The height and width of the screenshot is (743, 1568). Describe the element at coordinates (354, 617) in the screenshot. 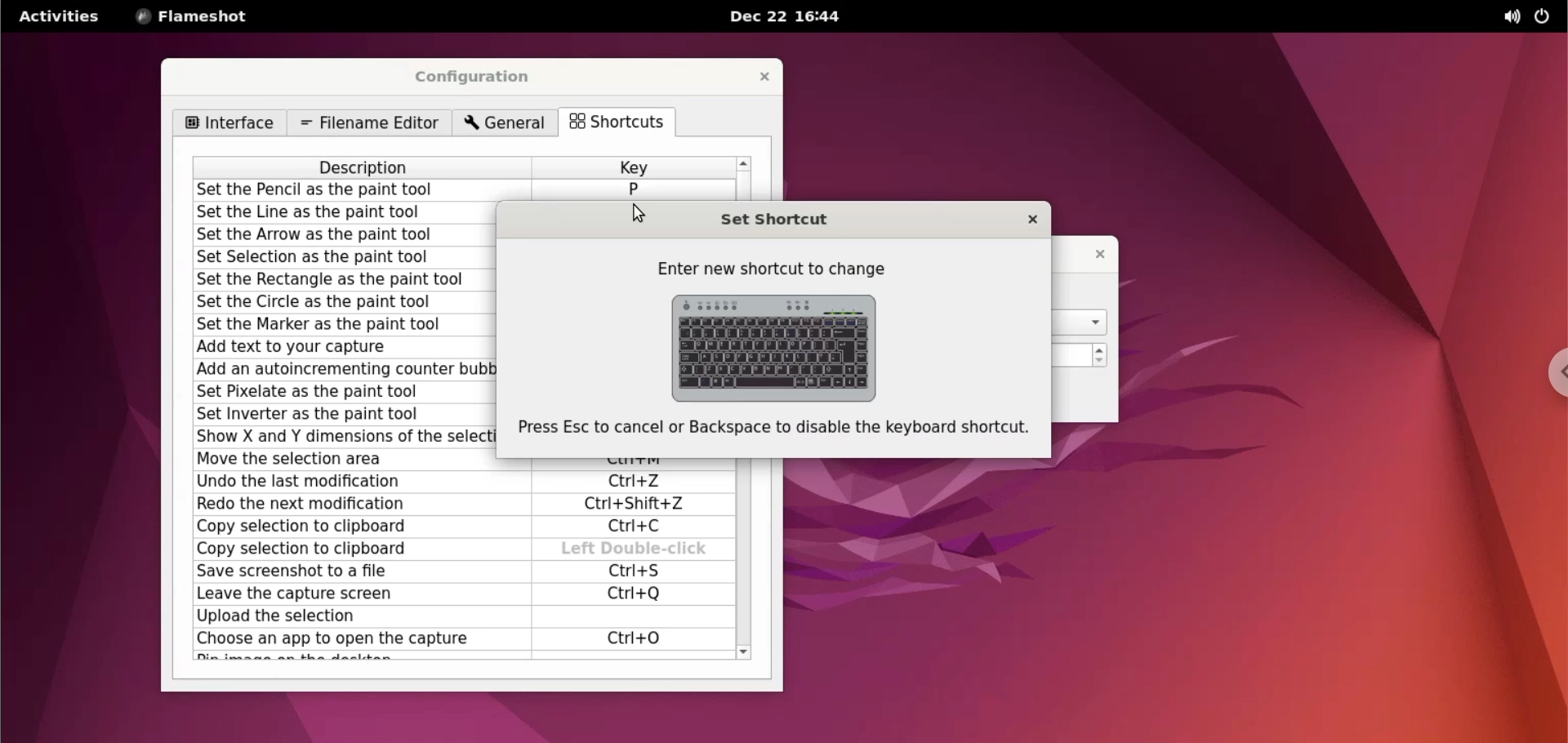

I see `upload the selection` at that location.